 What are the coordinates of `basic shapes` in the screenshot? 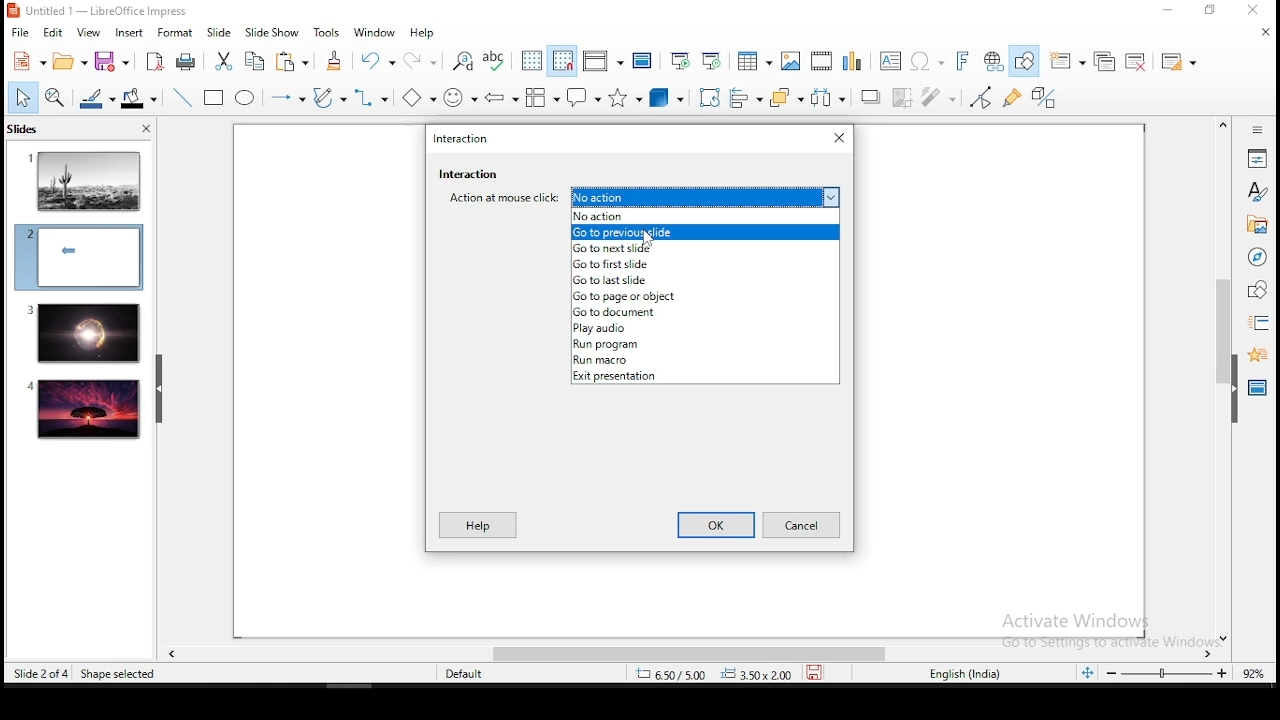 It's located at (415, 98).